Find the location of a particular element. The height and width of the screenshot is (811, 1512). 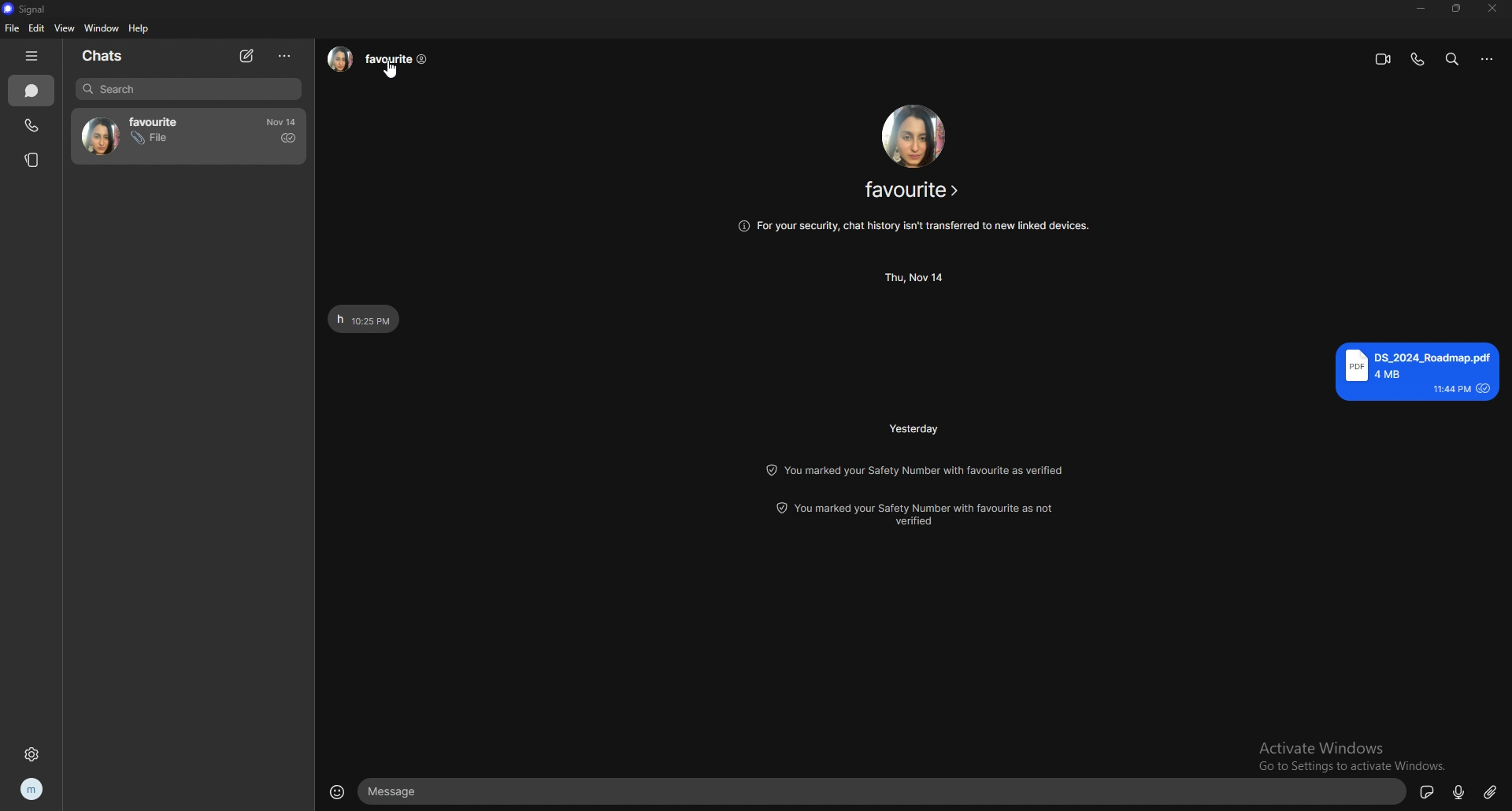

search messages is located at coordinates (1453, 59).